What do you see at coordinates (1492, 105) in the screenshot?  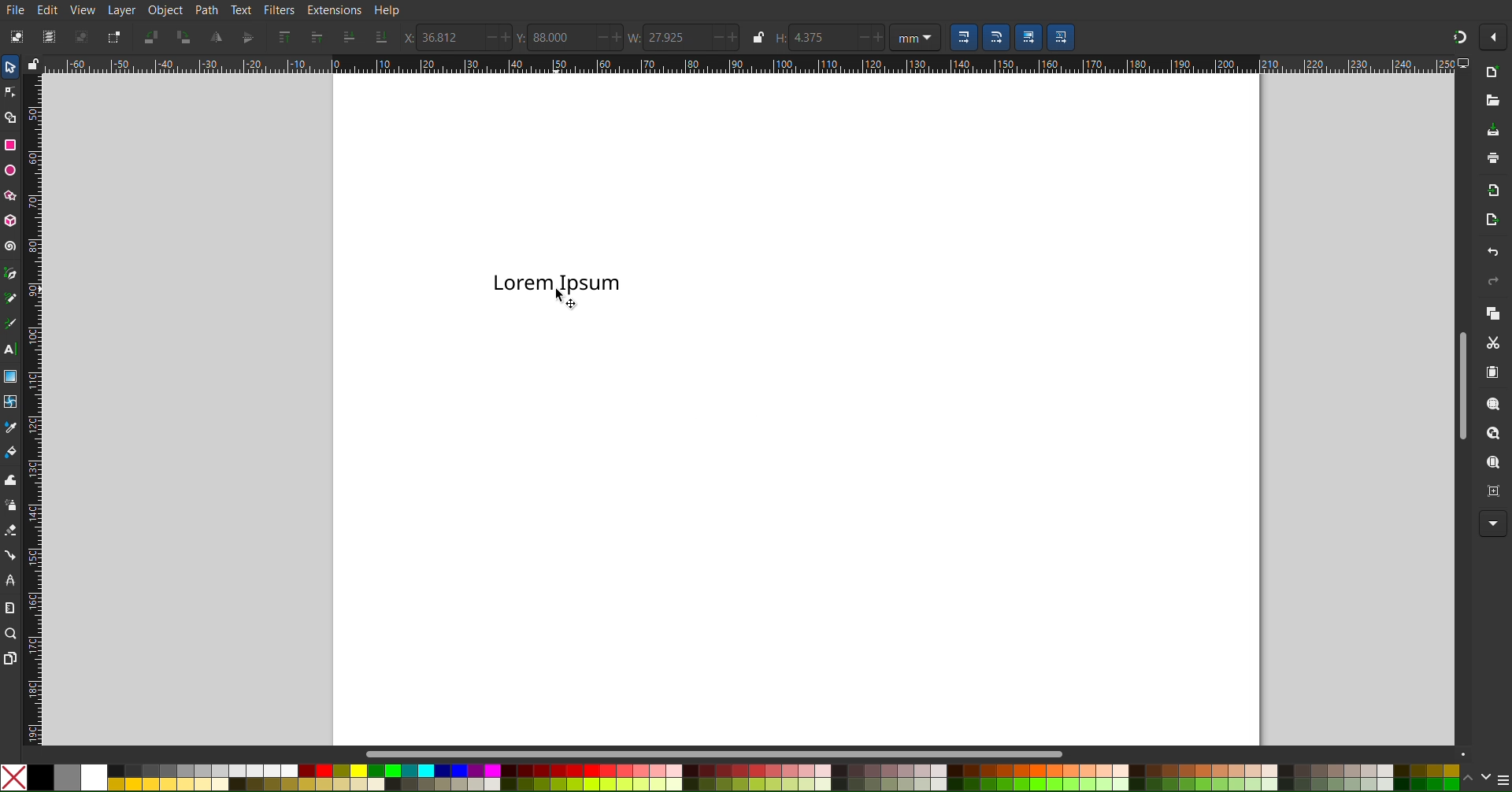 I see `Open` at bounding box center [1492, 105].